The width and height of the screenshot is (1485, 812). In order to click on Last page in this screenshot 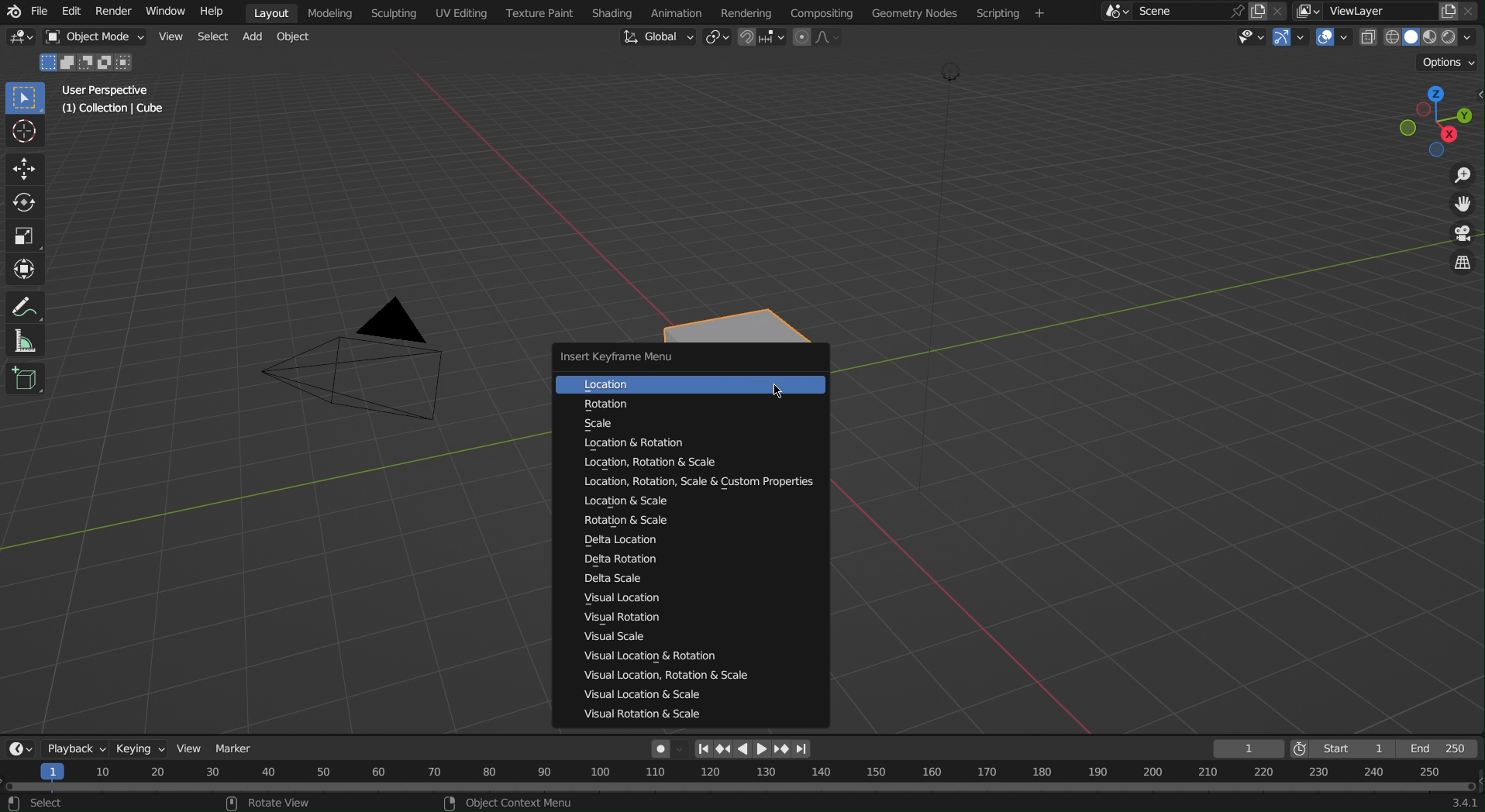, I will do `click(801, 750)`.